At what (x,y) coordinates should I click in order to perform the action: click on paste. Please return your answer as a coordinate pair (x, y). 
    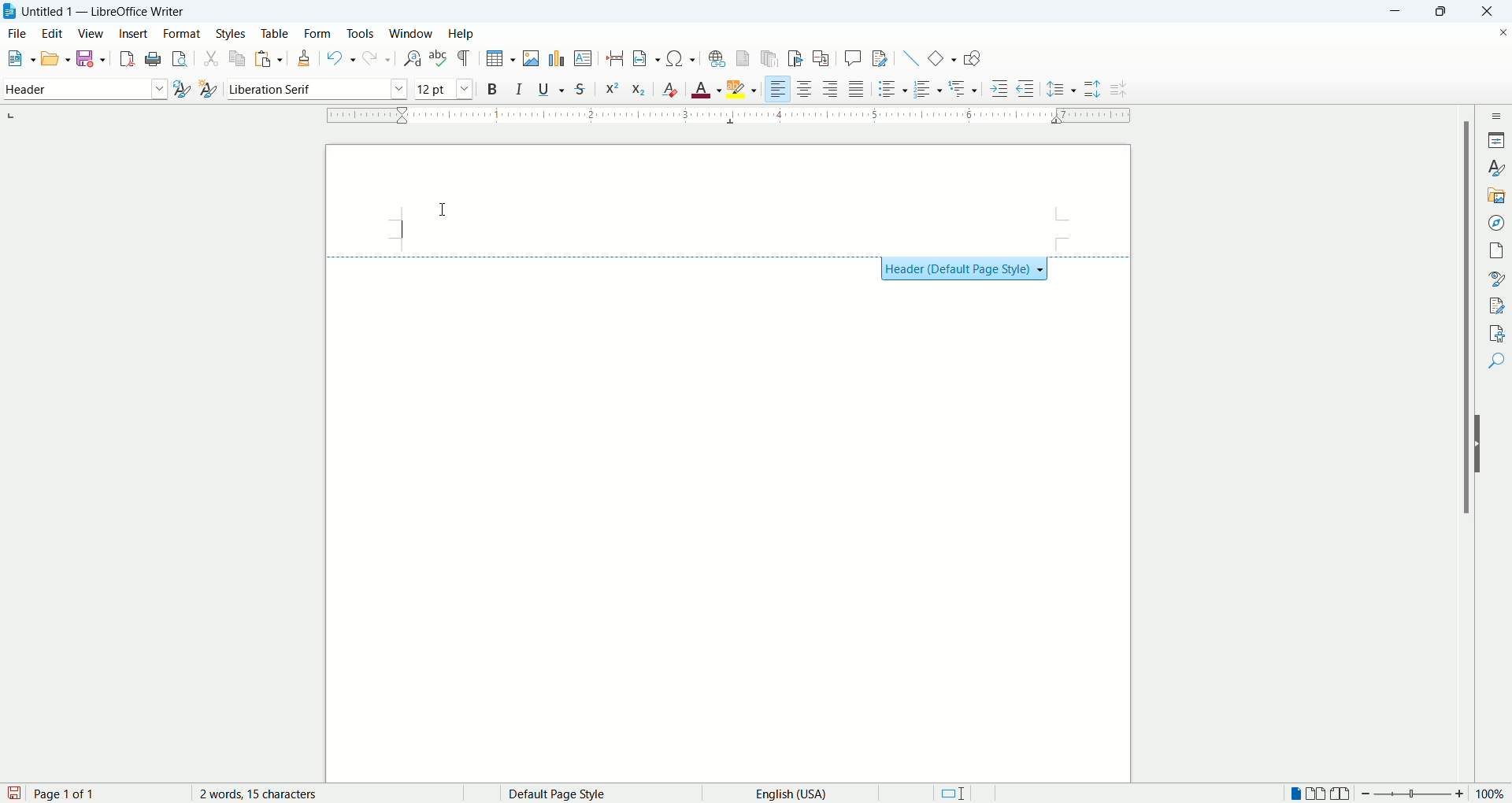
    Looking at the image, I should click on (268, 59).